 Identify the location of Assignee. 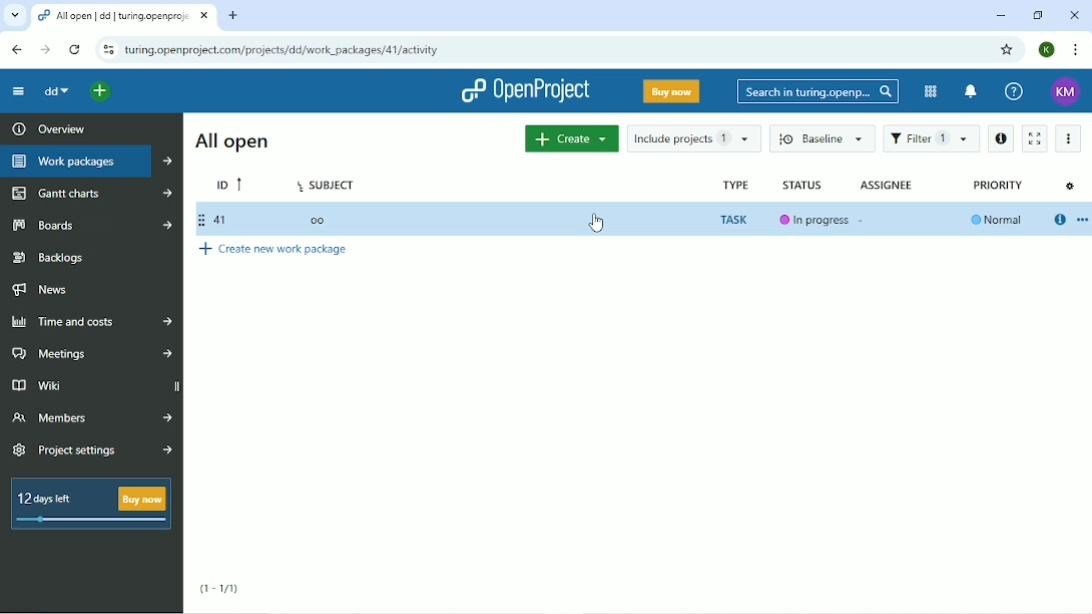
(887, 185).